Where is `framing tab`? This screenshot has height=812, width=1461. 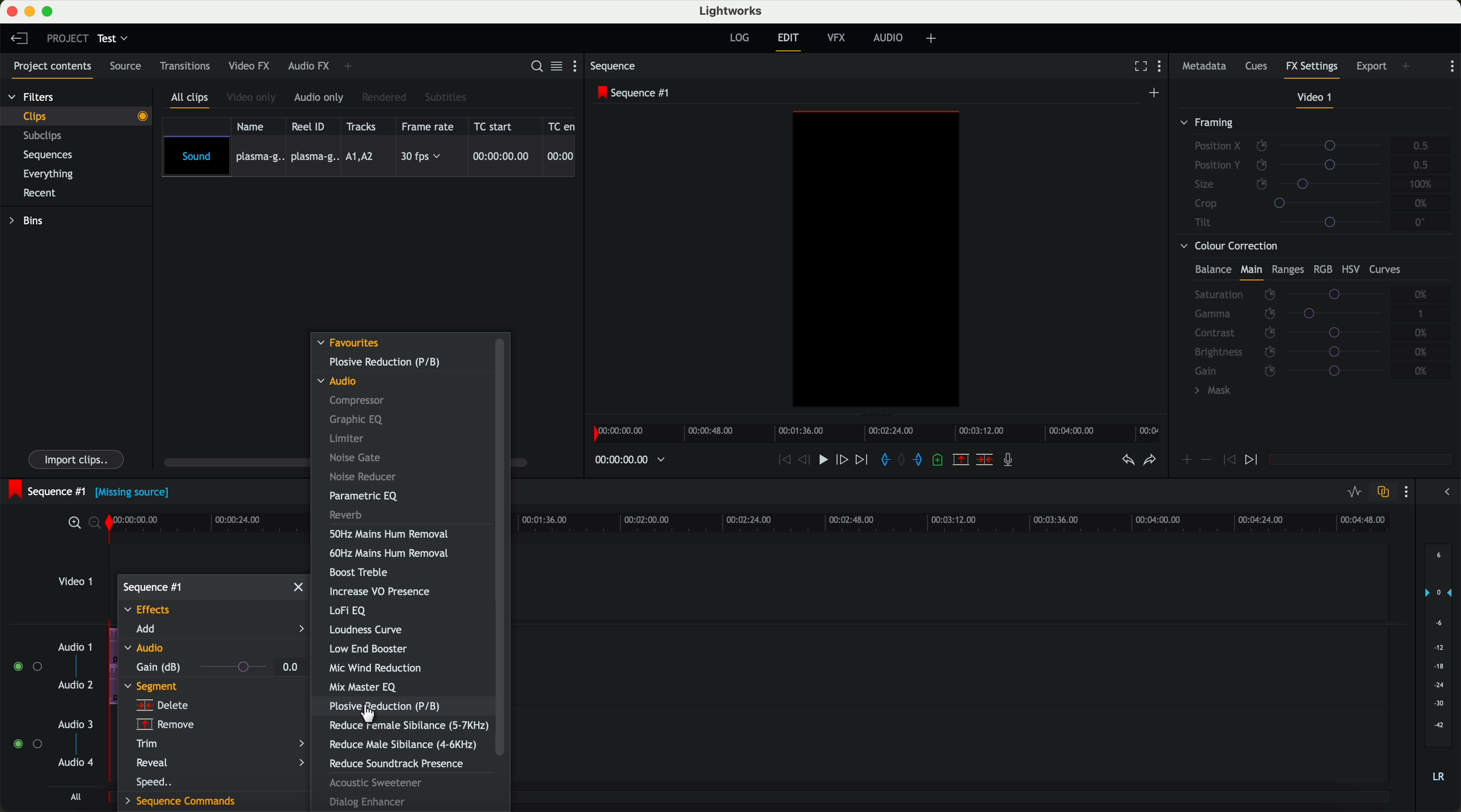 framing tab is located at coordinates (1314, 175).